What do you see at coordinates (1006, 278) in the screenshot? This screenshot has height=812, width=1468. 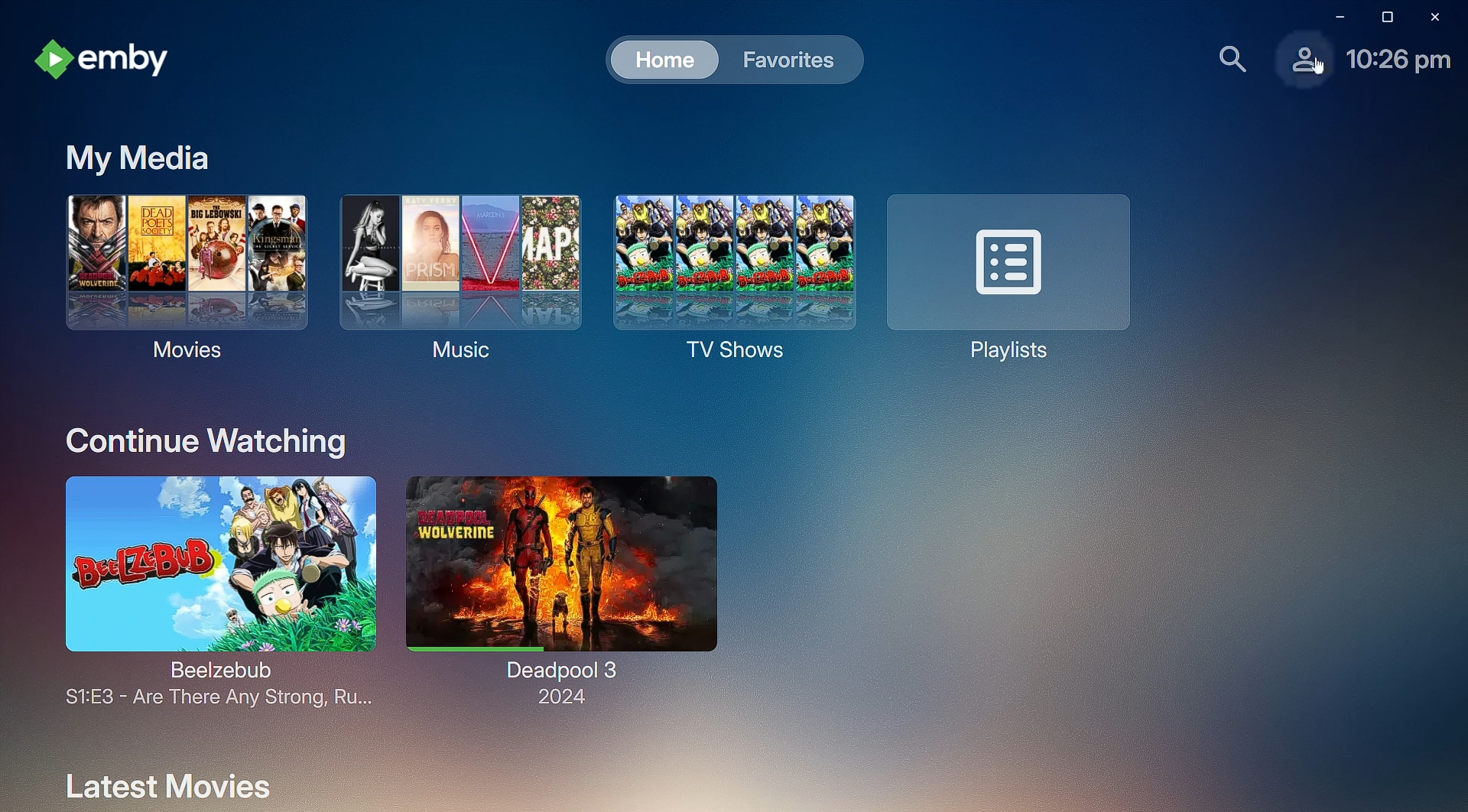 I see `Playlists` at bounding box center [1006, 278].